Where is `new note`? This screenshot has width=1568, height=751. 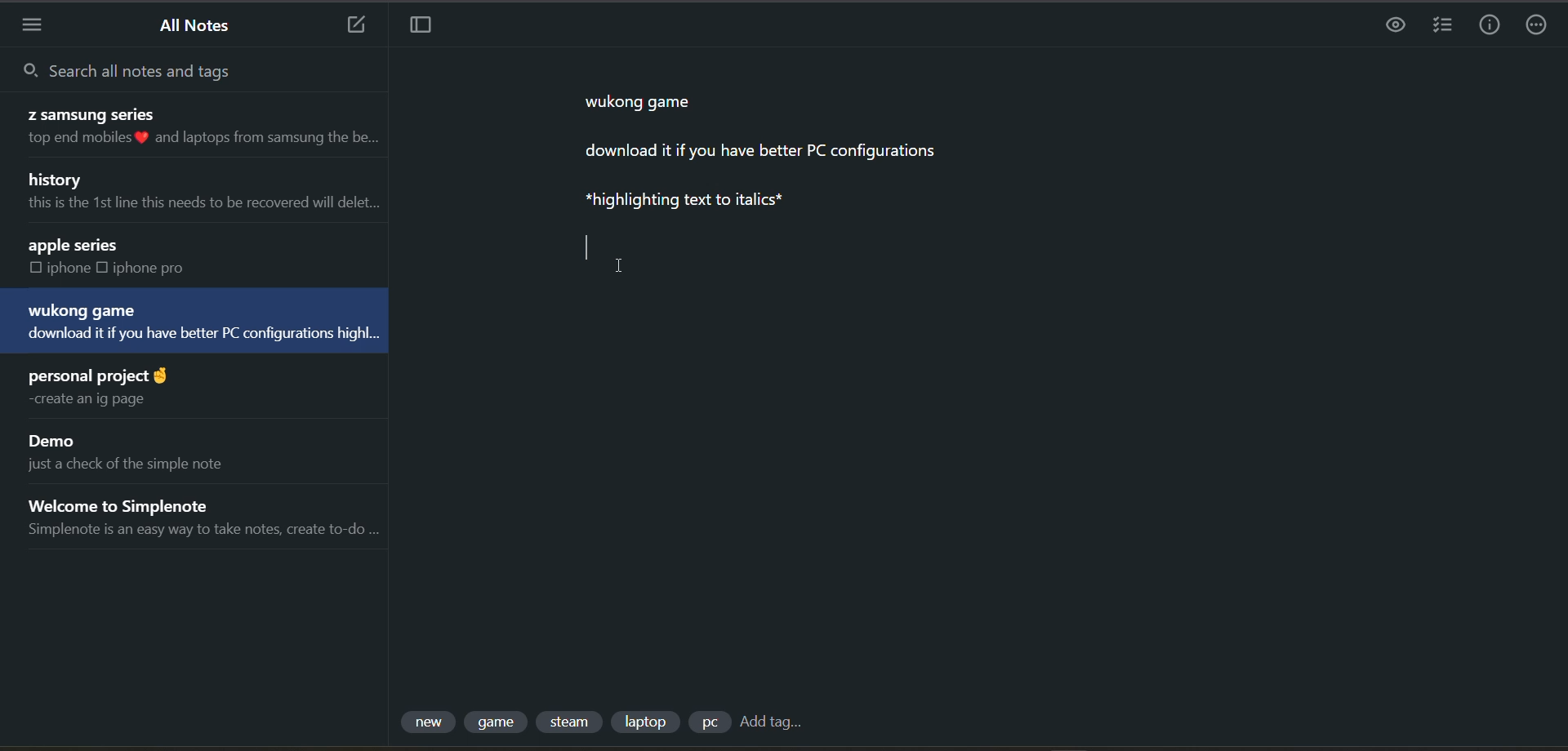
new note is located at coordinates (352, 25).